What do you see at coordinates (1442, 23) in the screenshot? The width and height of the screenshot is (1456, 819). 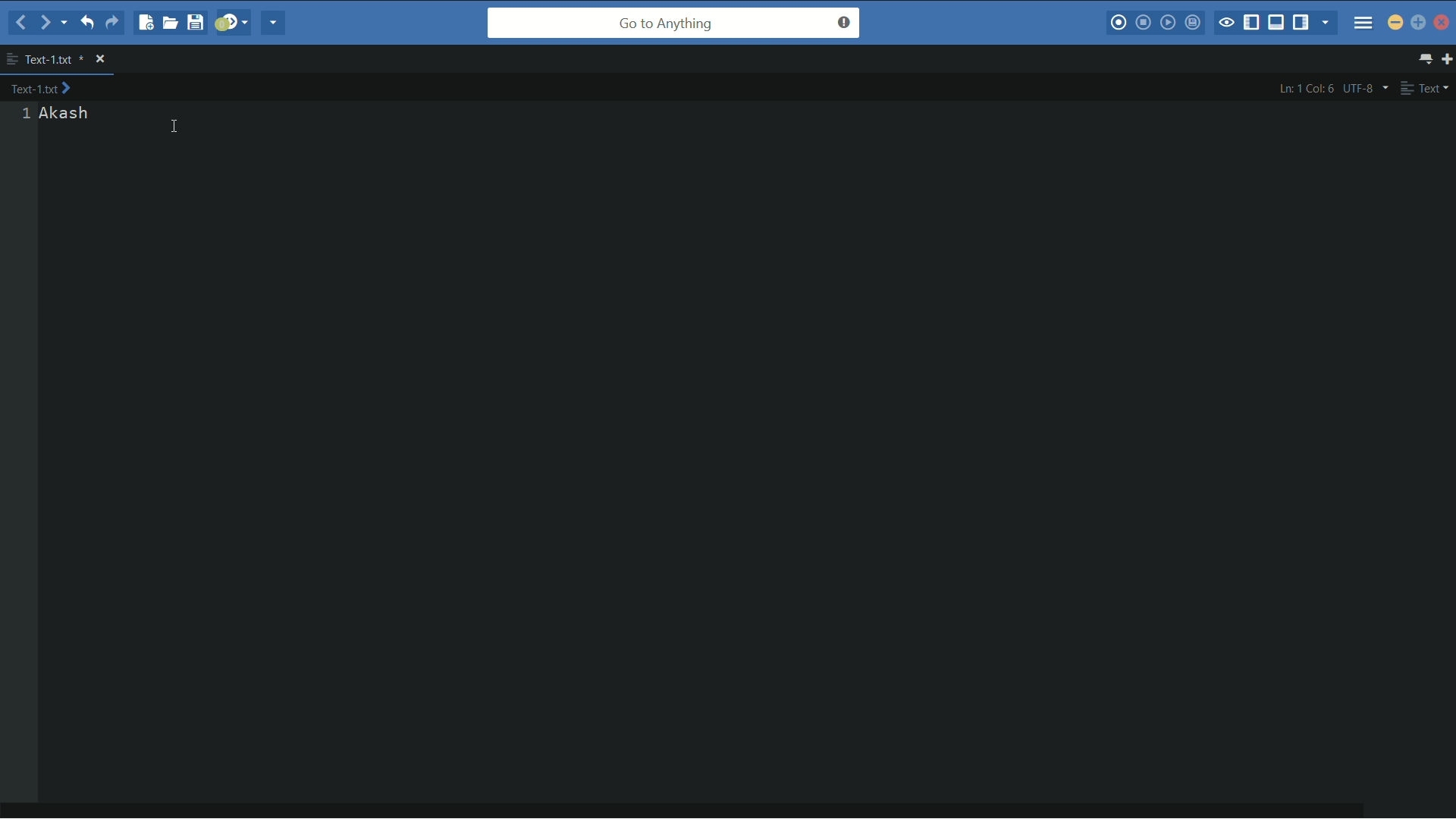 I see `close app` at bounding box center [1442, 23].